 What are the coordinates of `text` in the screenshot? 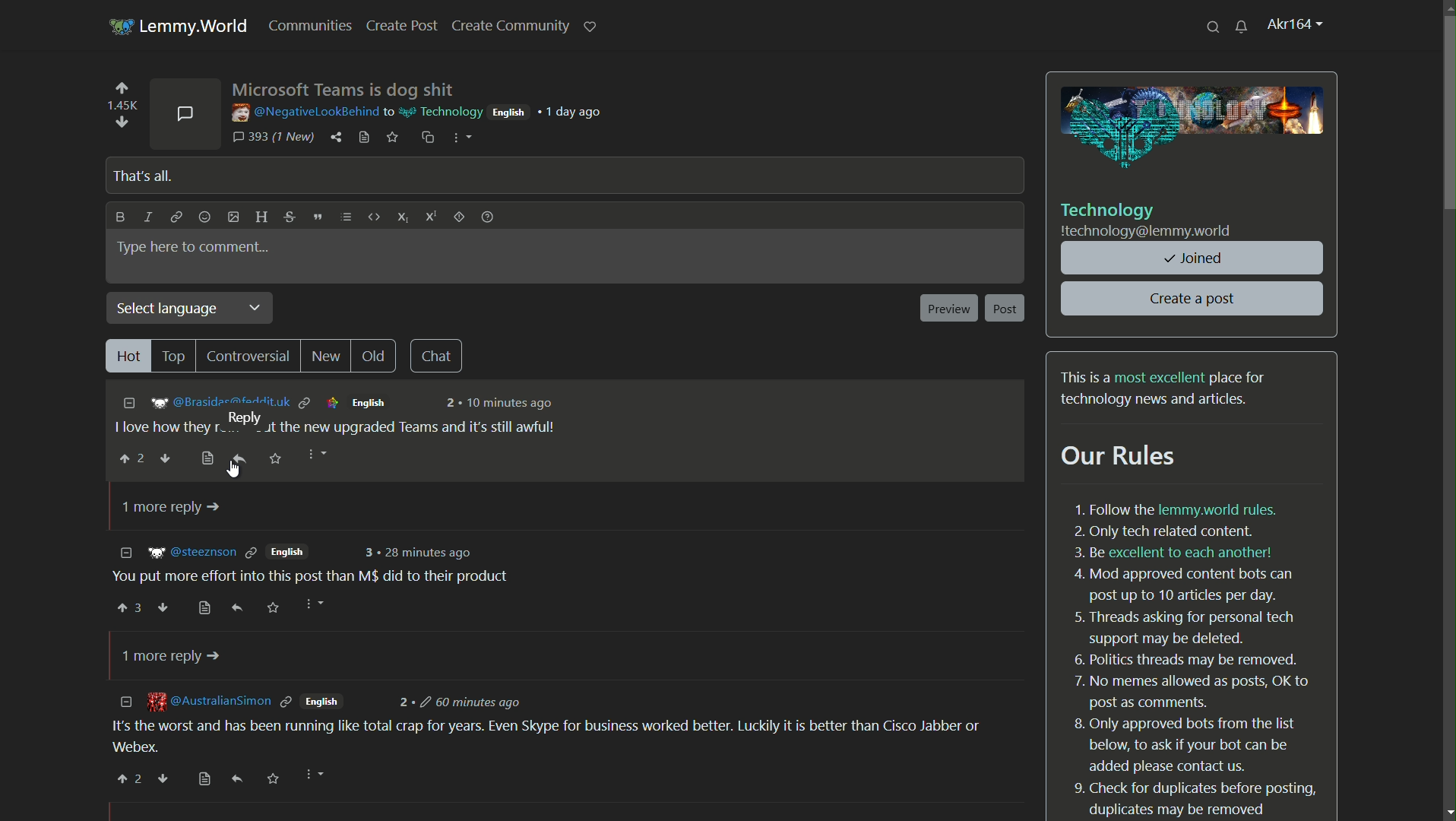 It's located at (1166, 388).